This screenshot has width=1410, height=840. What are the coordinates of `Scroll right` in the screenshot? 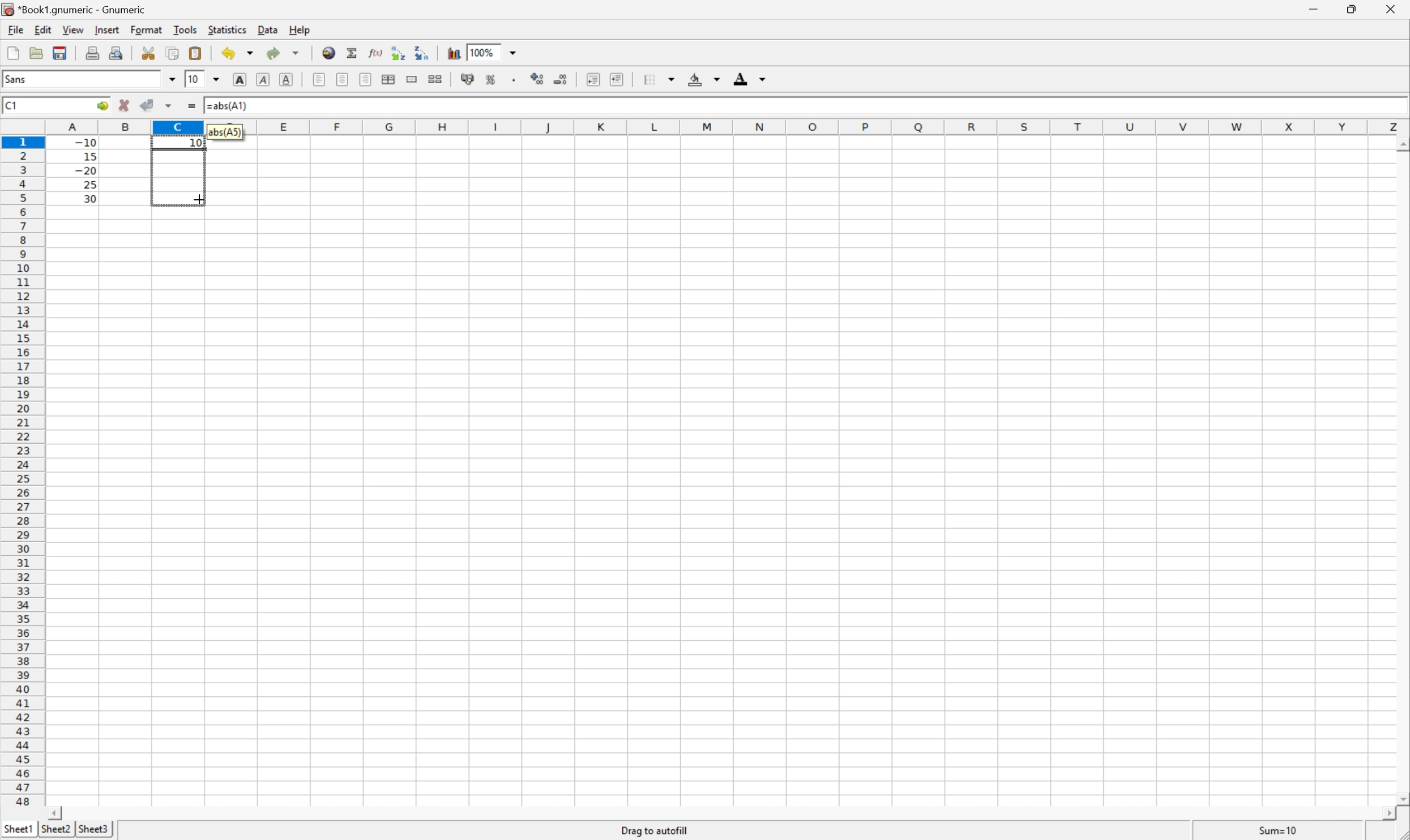 It's located at (1383, 814).